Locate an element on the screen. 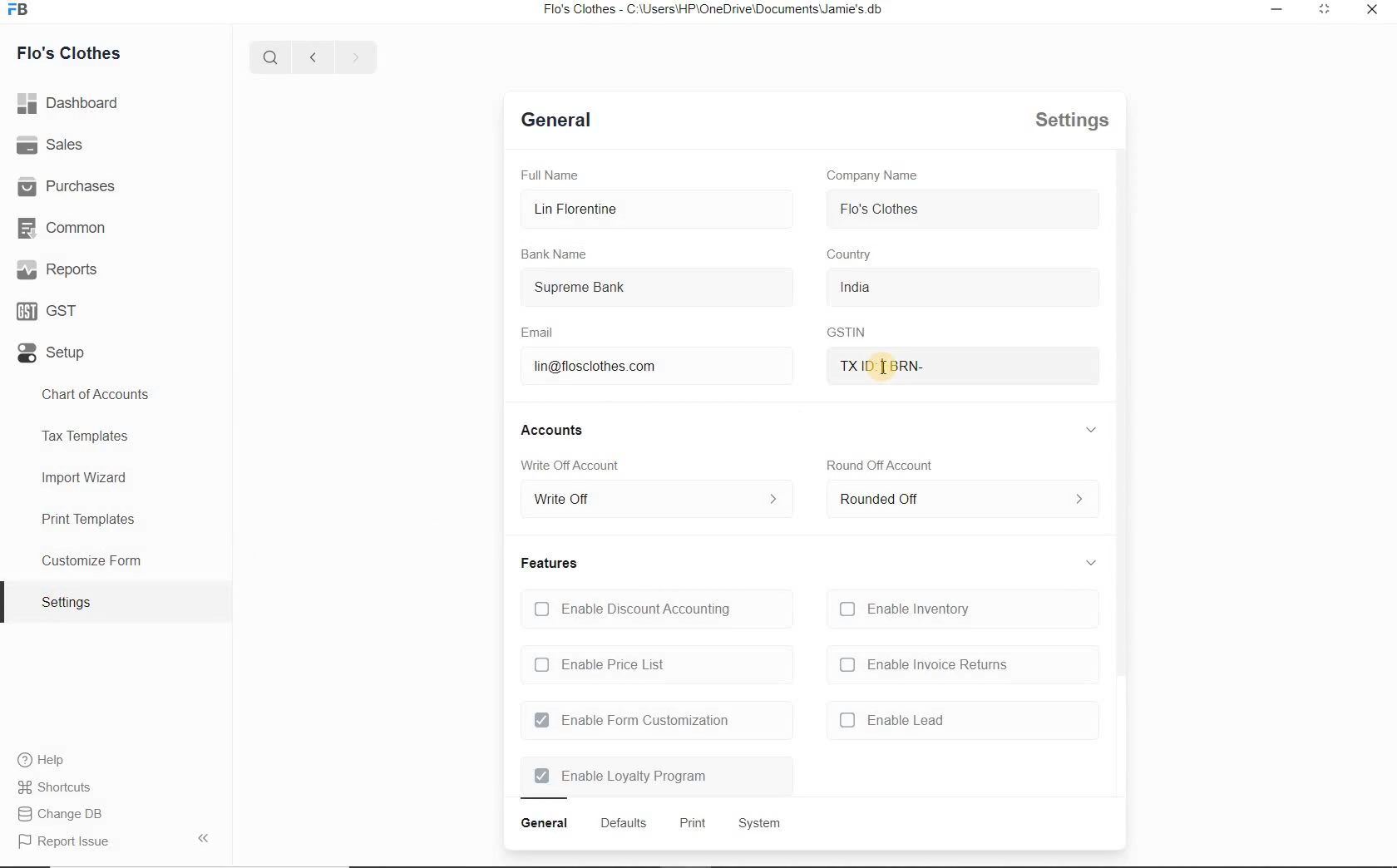 Image resolution: width=1397 pixels, height=868 pixels. minimize is located at coordinates (1325, 12).